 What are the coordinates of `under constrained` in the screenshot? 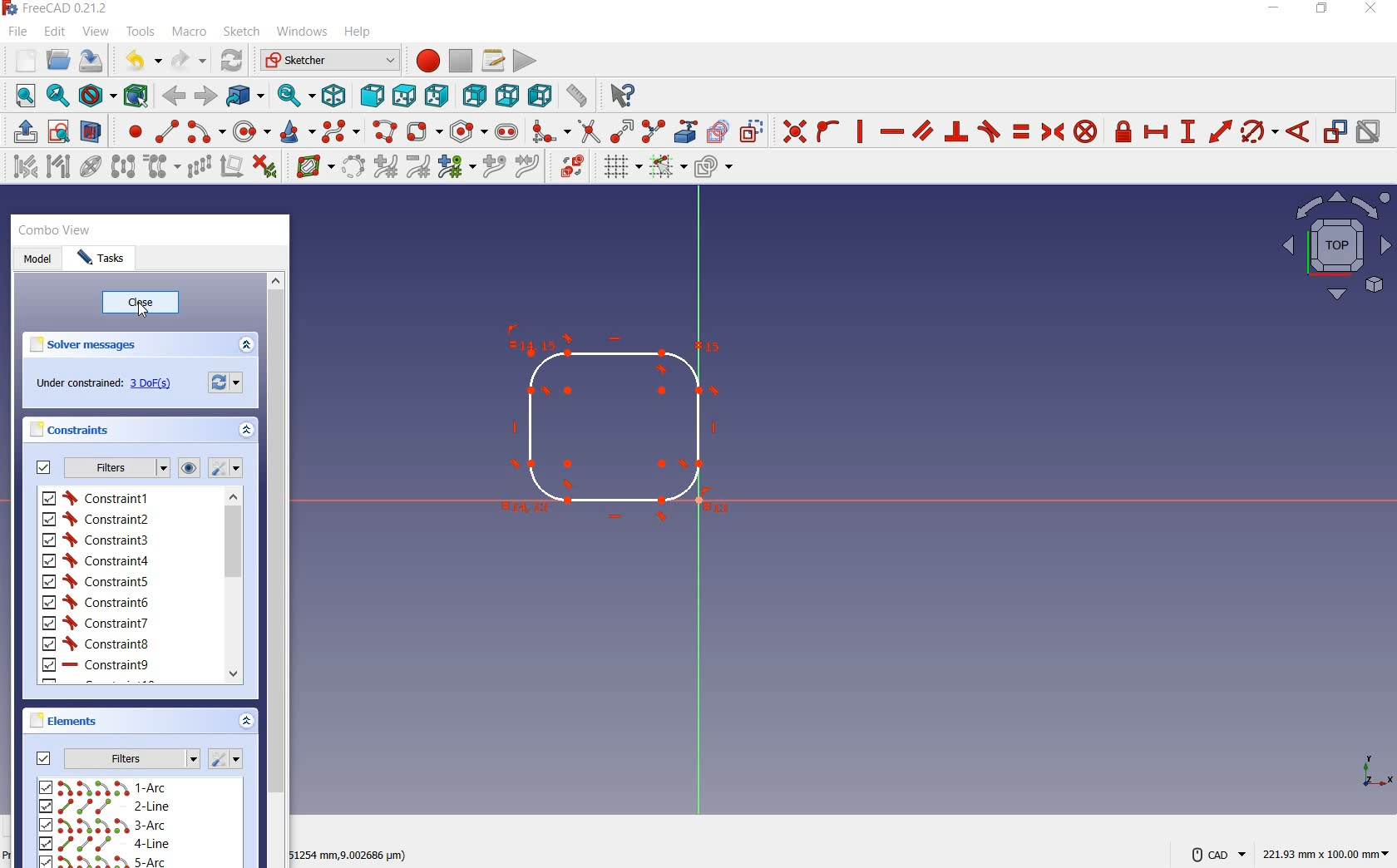 It's located at (109, 385).